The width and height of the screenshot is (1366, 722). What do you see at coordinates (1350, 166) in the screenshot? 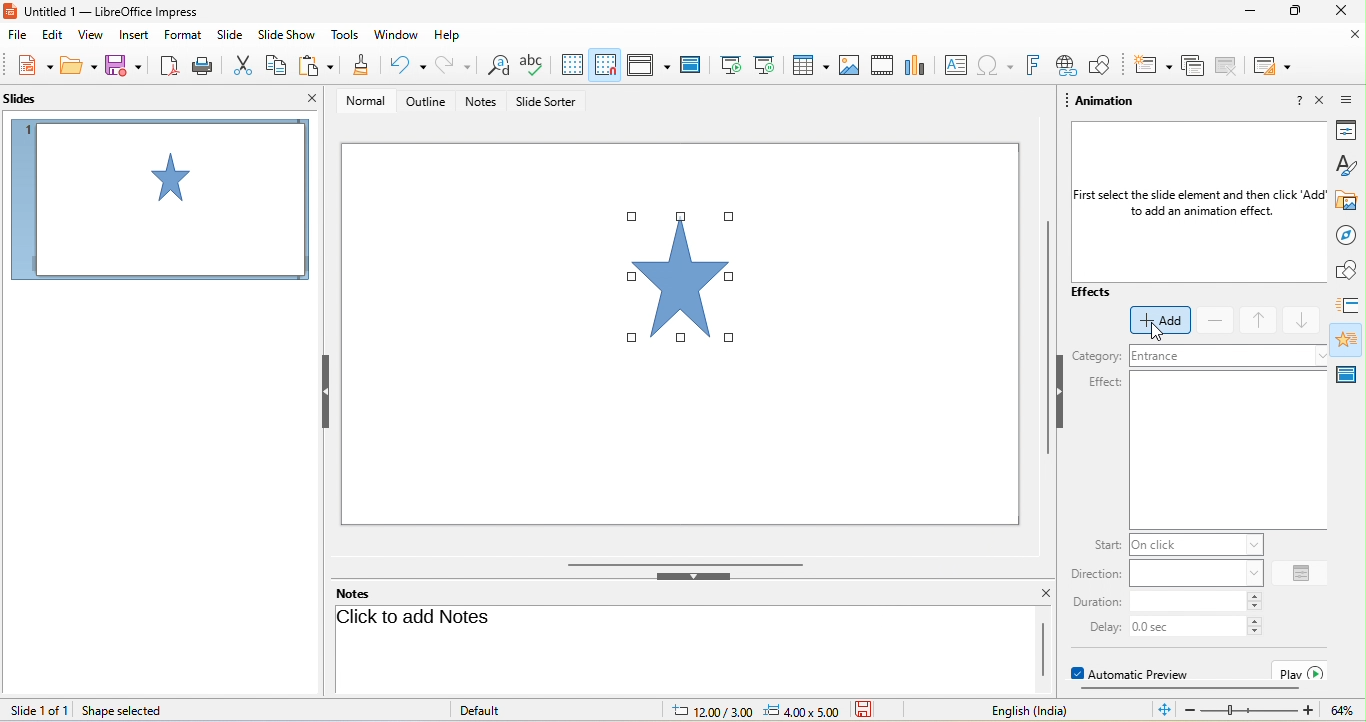
I see `styles` at bounding box center [1350, 166].